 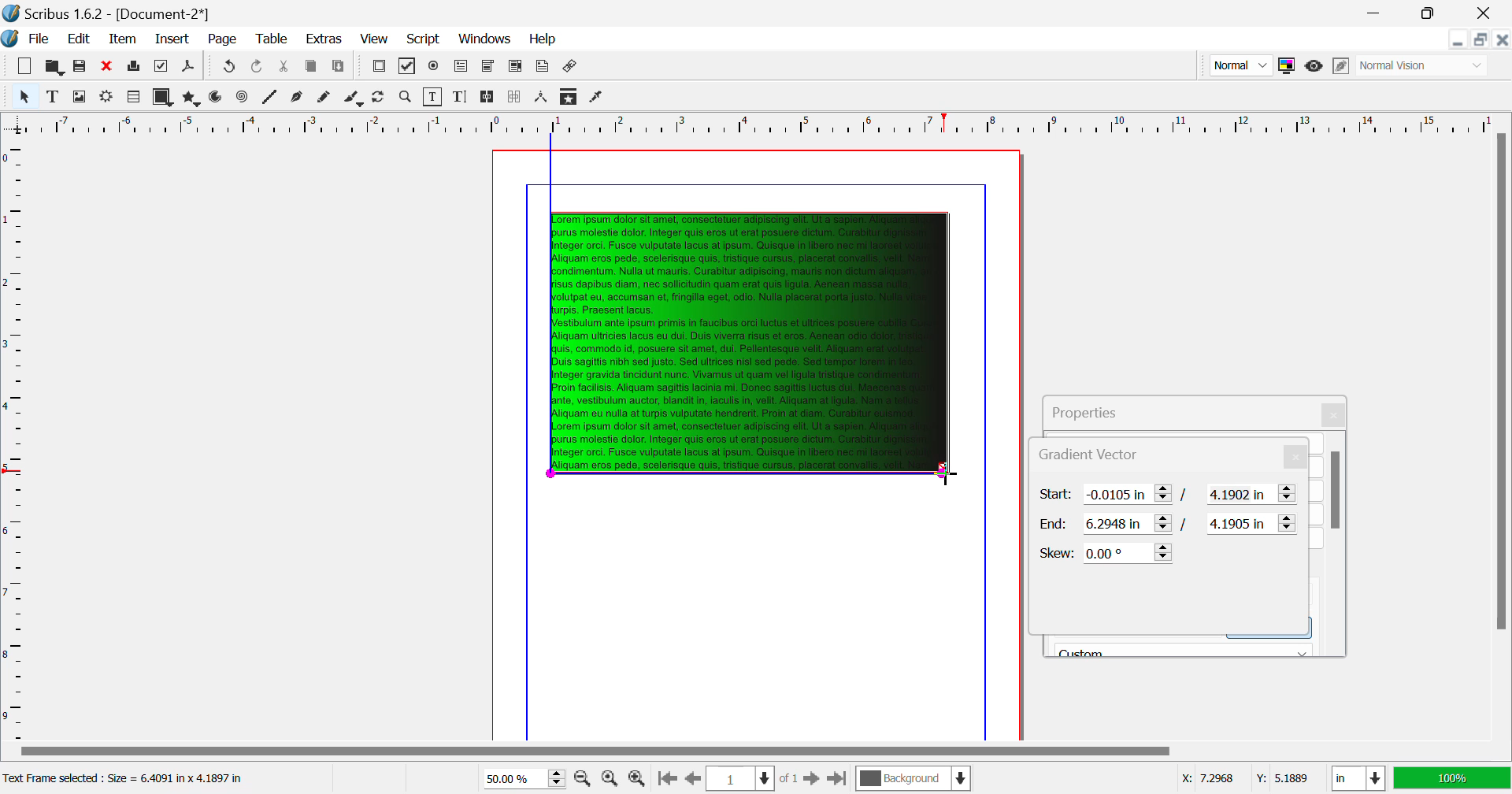 What do you see at coordinates (755, 752) in the screenshot?
I see `Scroll Bar` at bounding box center [755, 752].